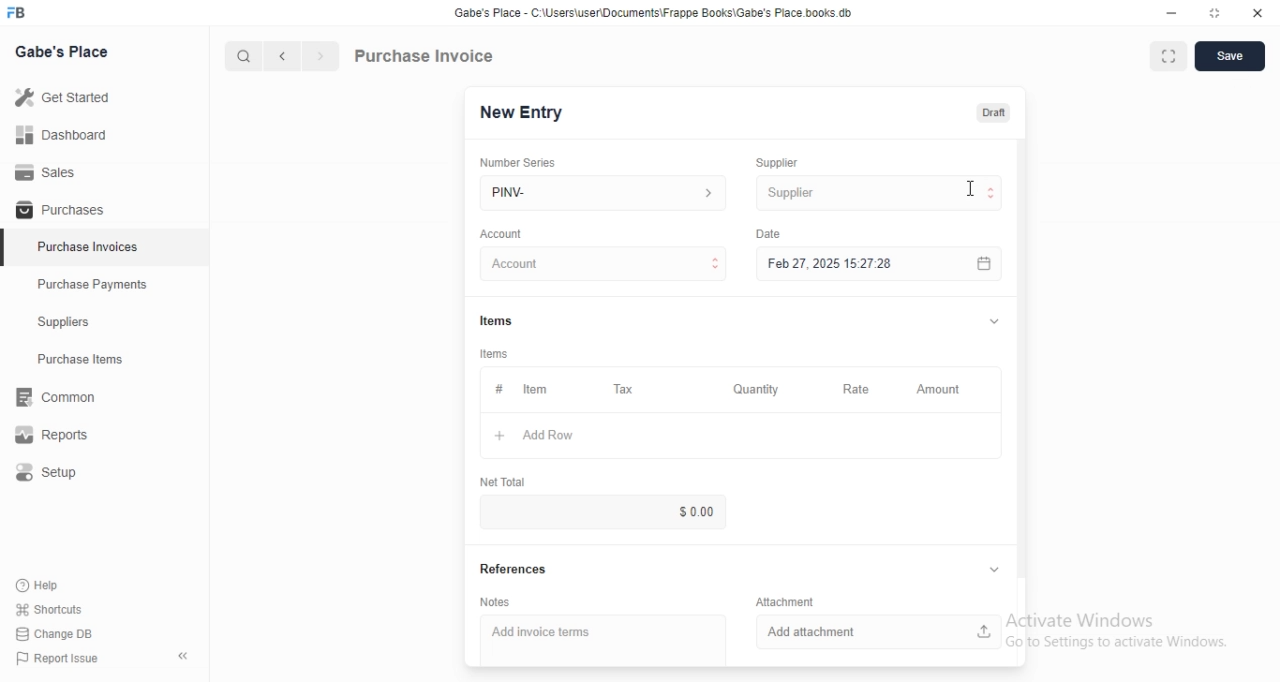 Image resolution: width=1280 pixels, height=682 pixels. I want to click on Supplier, so click(777, 163).